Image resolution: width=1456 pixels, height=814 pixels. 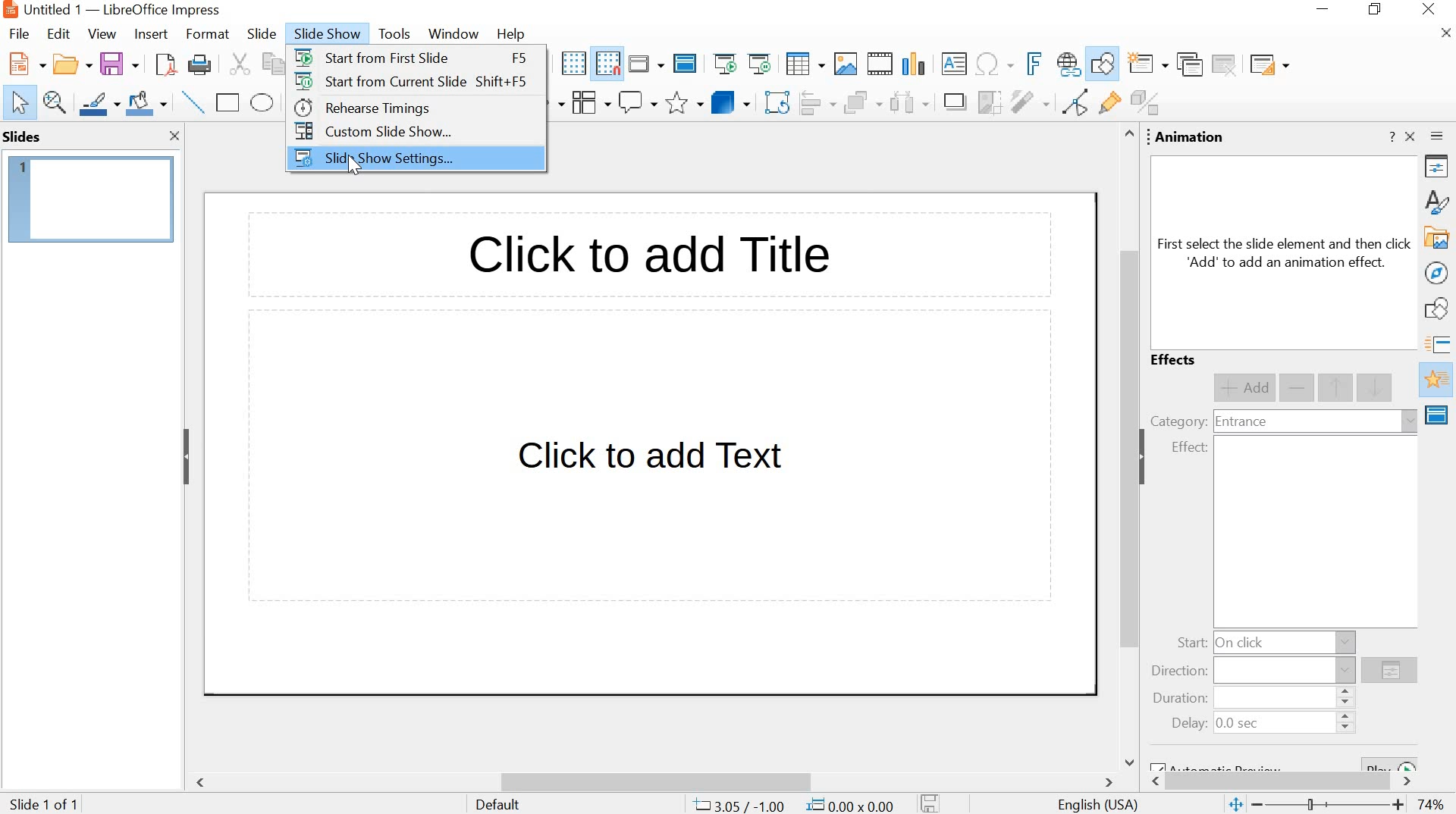 What do you see at coordinates (989, 102) in the screenshot?
I see `crop image` at bounding box center [989, 102].